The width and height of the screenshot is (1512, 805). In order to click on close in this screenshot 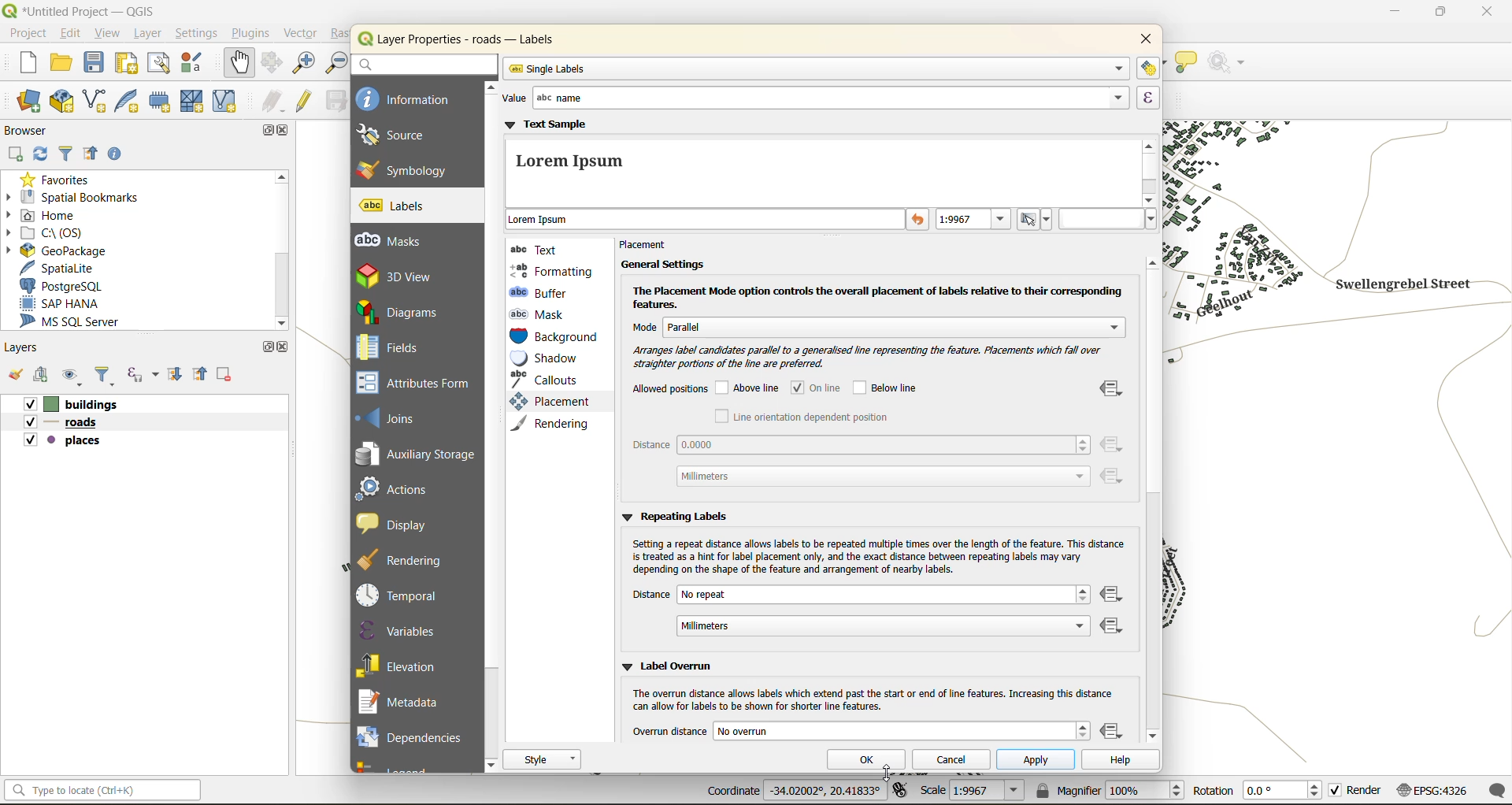, I will do `click(286, 132)`.